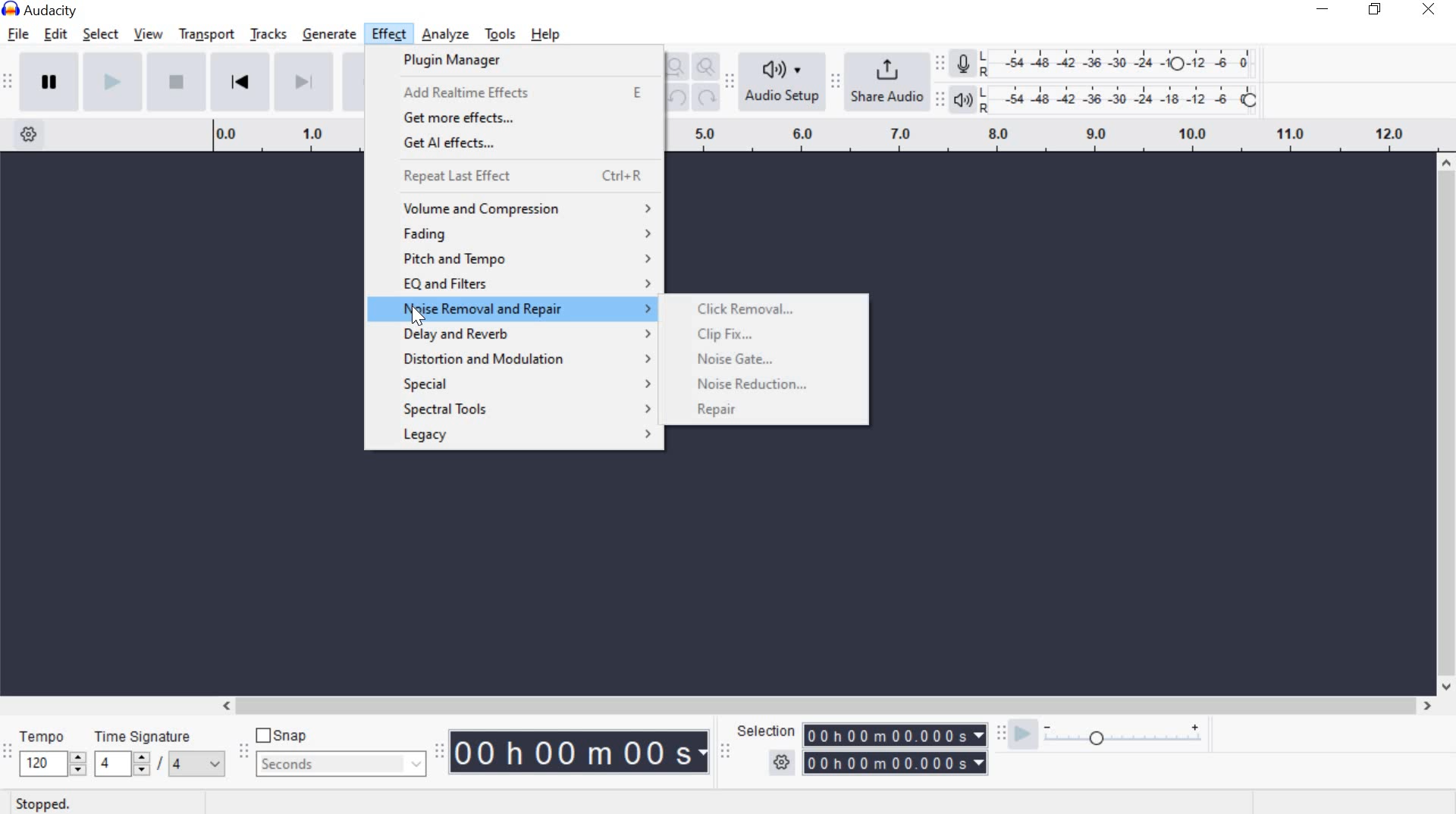  Describe the element at coordinates (1004, 731) in the screenshot. I see `Play-at-speed toolbar` at that location.